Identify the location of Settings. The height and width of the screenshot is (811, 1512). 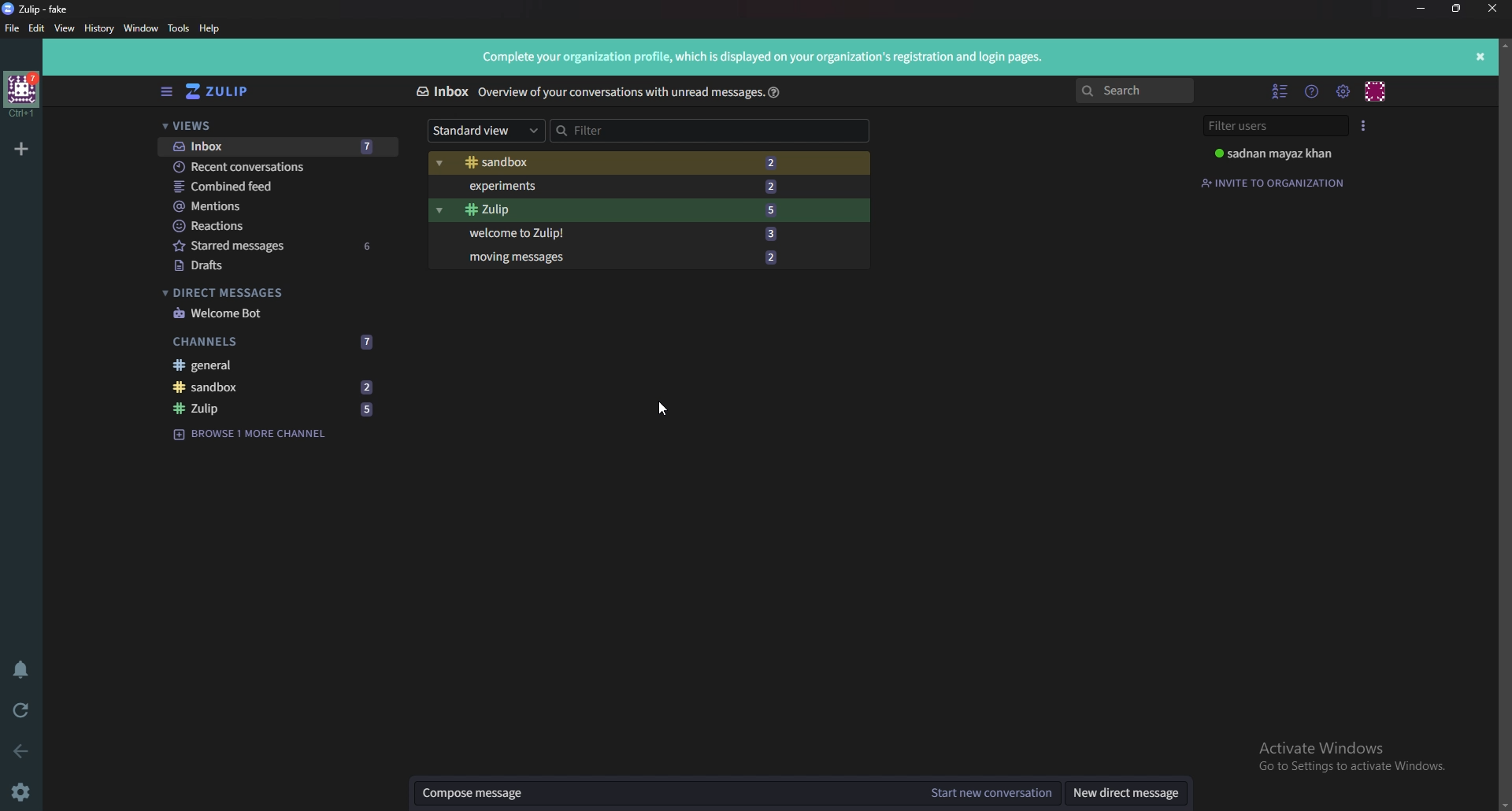
(23, 792).